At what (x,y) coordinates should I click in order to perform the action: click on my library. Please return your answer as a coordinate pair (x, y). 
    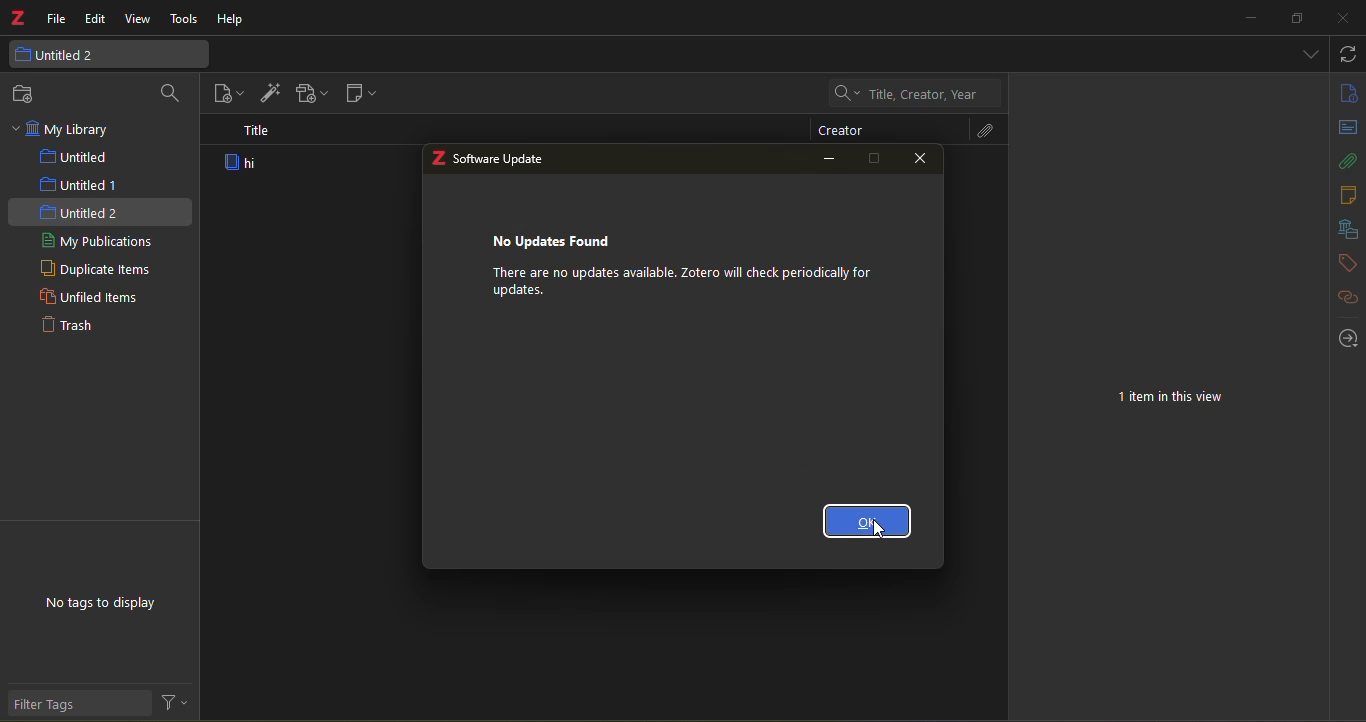
    Looking at the image, I should click on (72, 127).